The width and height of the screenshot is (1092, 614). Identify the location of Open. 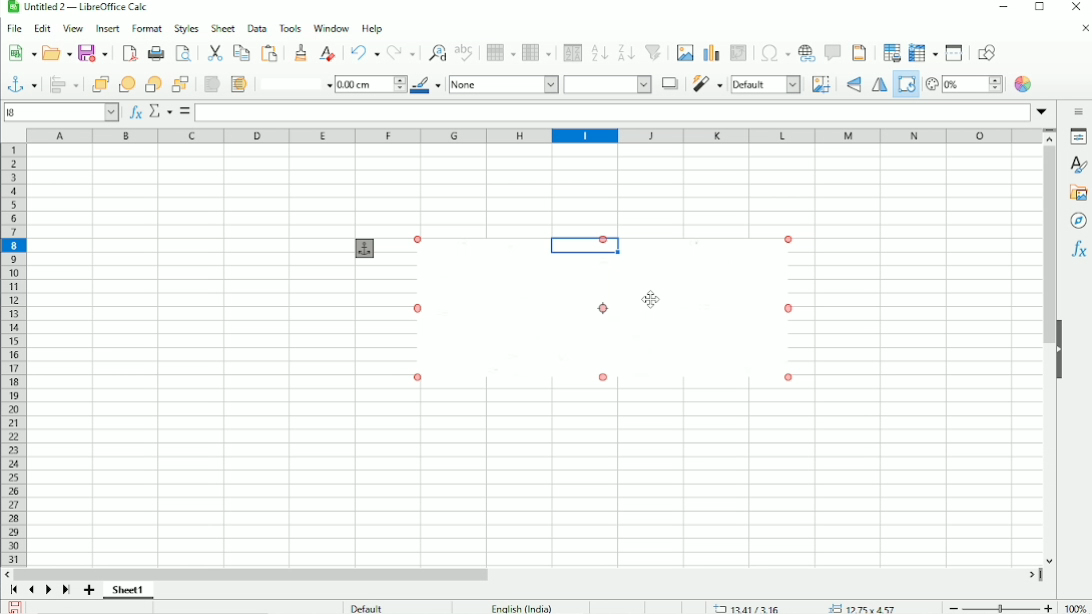
(57, 53).